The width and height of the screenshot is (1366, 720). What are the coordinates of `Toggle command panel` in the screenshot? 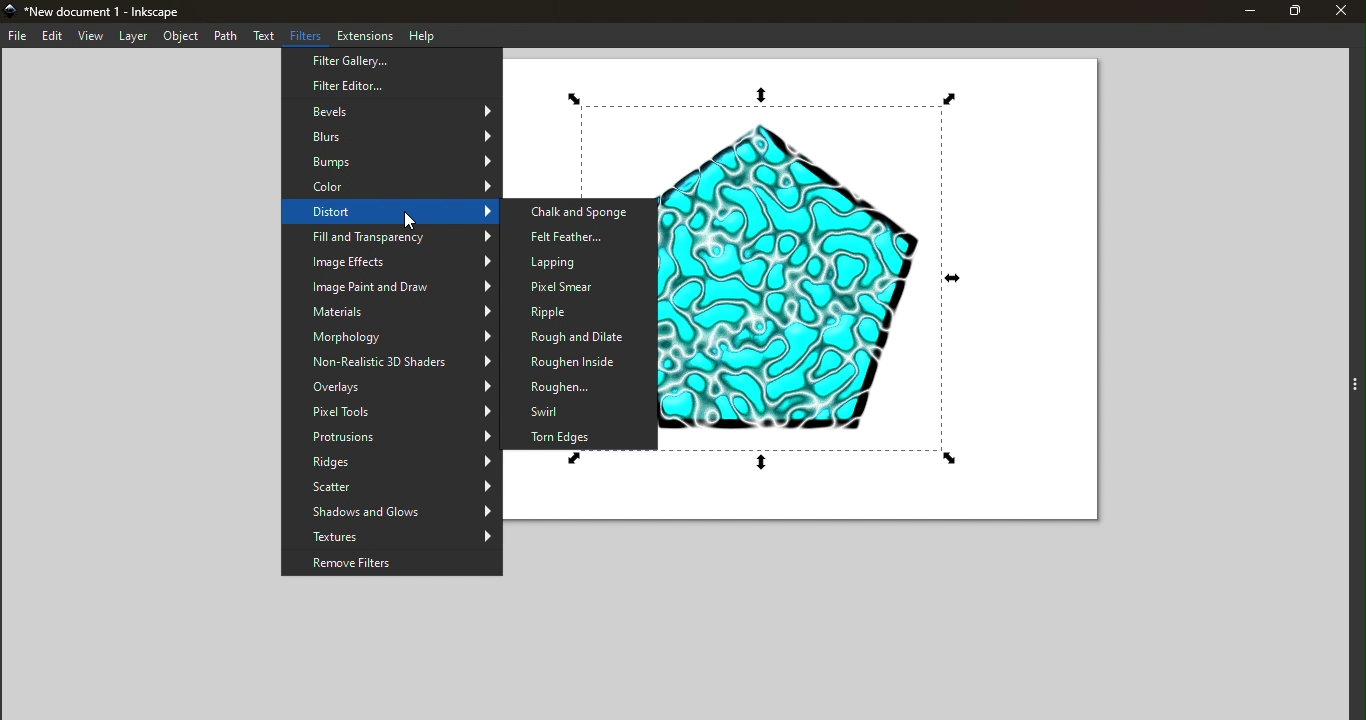 It's located at (1357, 387).